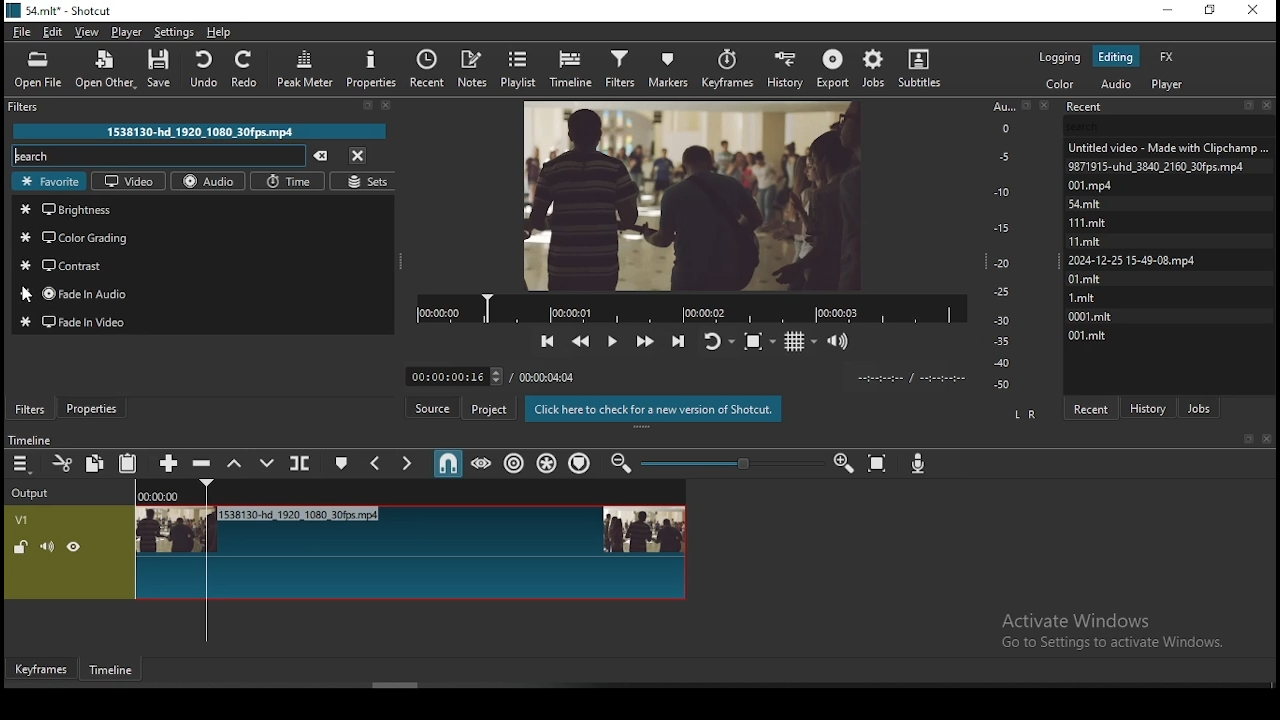 The height and width of the screenshot is (720, 1280). Describe the element at coordinates (479, 463) in the screenshot. I see `scrub while dragging` at that location.